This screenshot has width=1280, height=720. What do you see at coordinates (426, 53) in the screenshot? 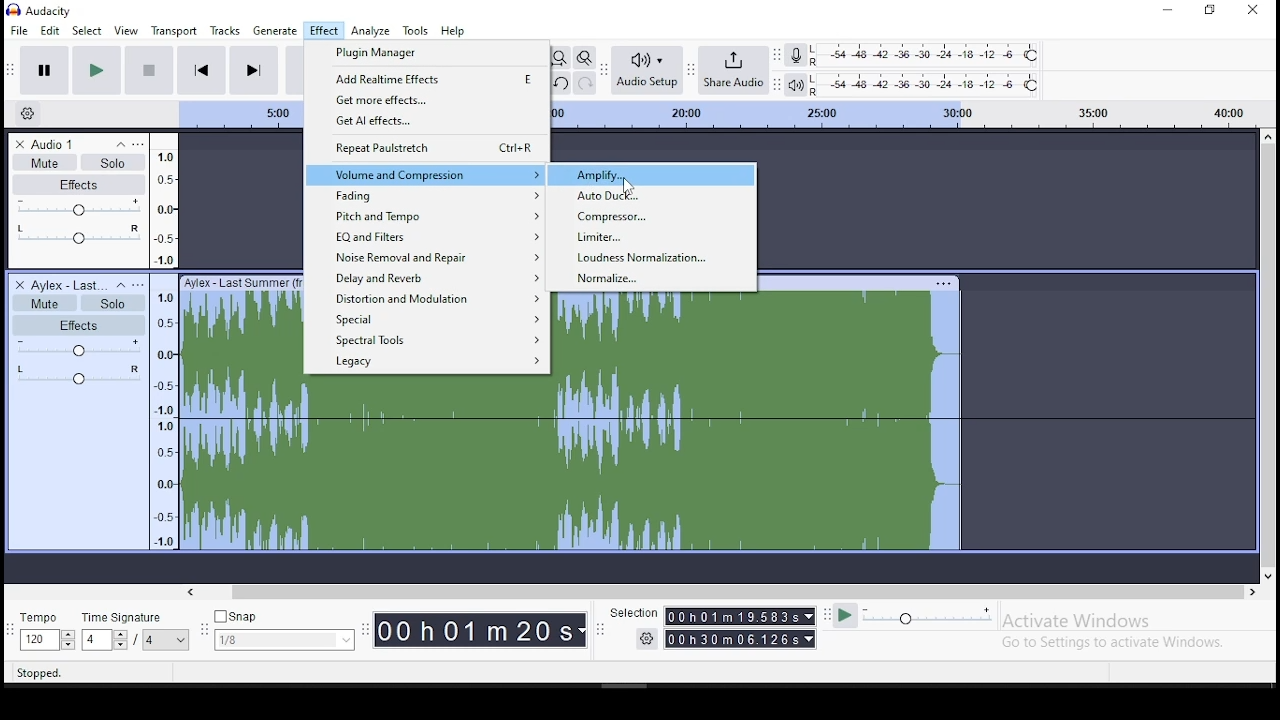
I see `plugin manager` at bounding box center [426, 53].